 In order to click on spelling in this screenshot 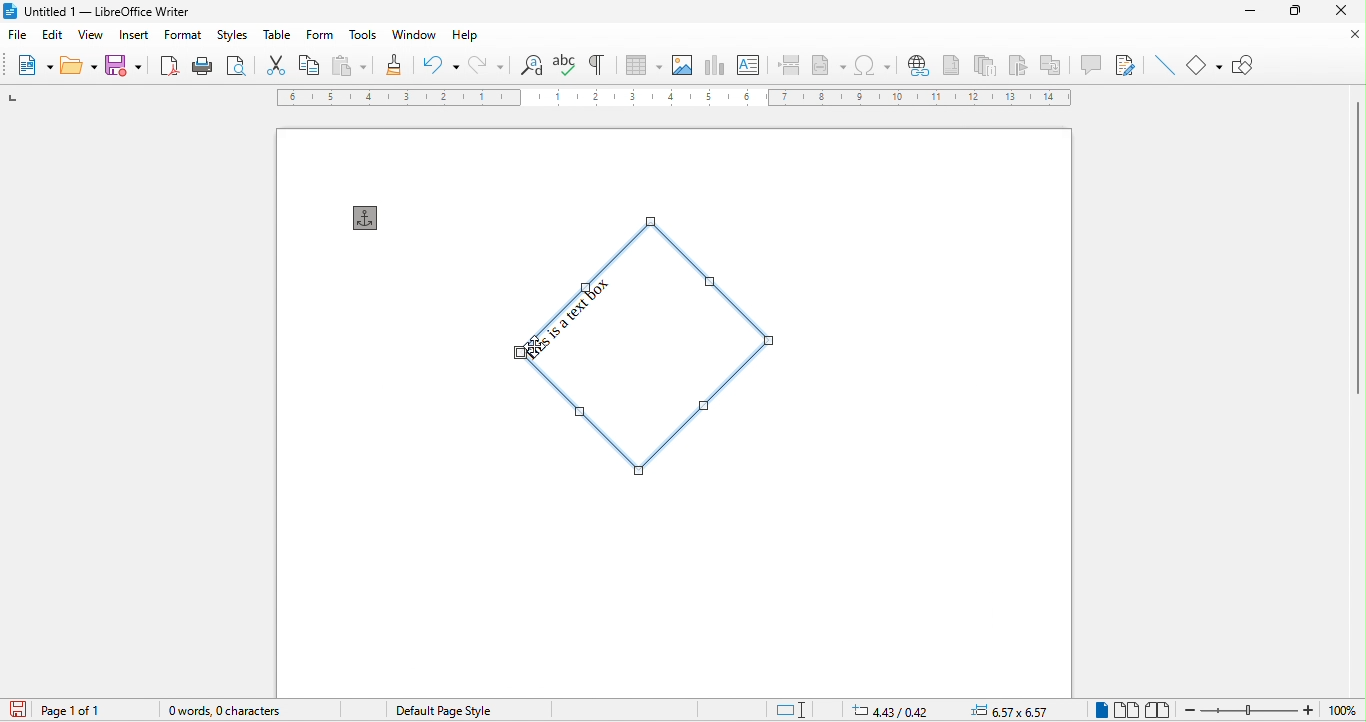, I will do `click(564, 65)`.